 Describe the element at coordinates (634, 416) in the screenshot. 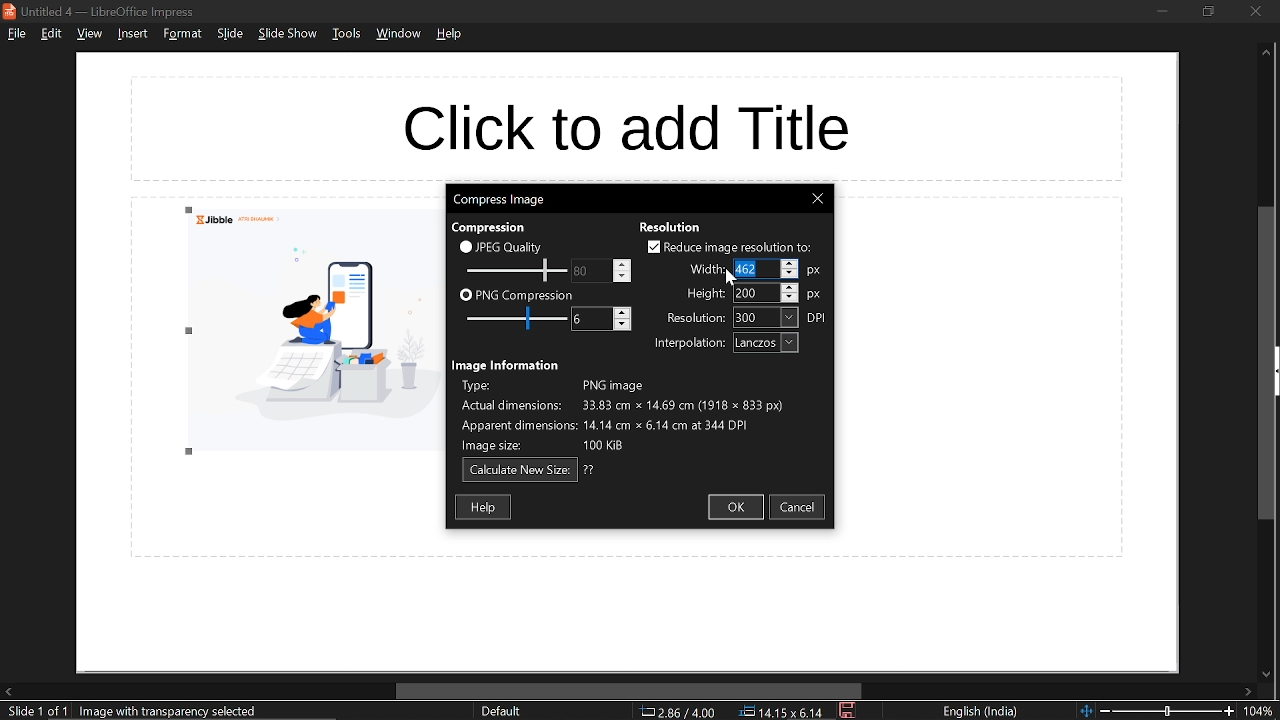

I see `image information describing type of image, actual dimensions, apparent dimensions and image size` at that location.